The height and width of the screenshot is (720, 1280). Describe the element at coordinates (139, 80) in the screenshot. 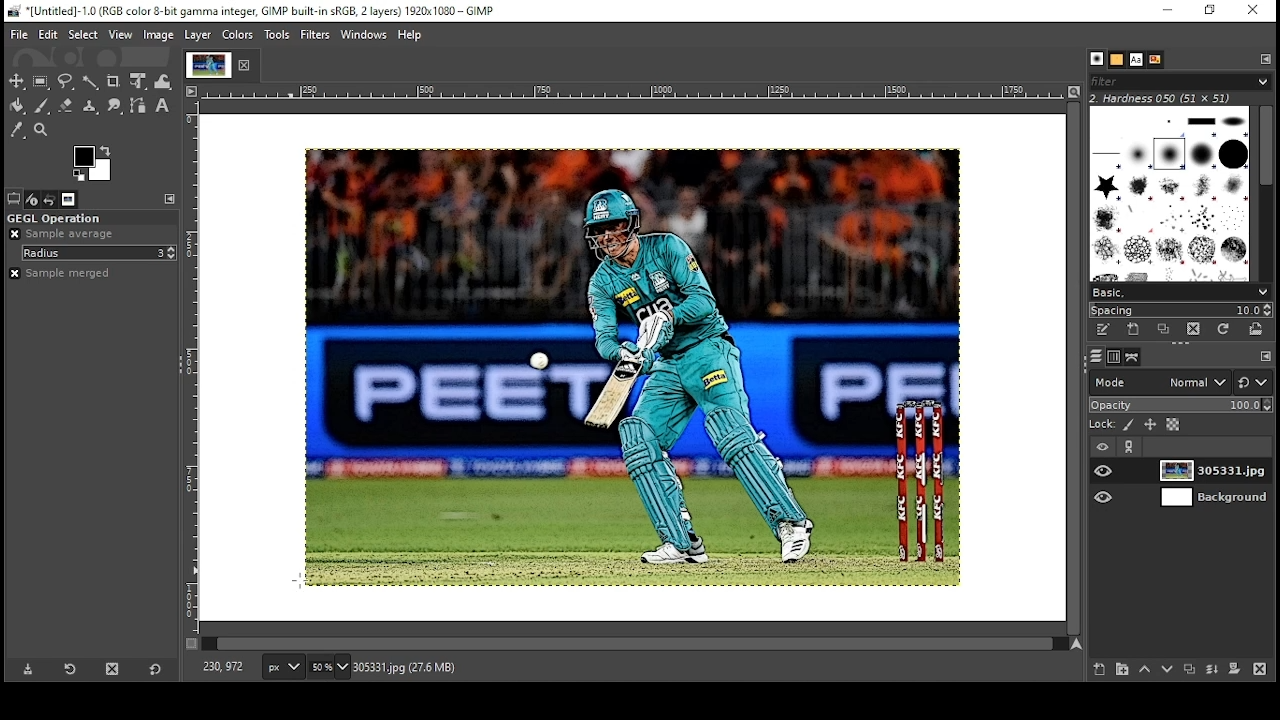

I see `unified transform tool` at that location.